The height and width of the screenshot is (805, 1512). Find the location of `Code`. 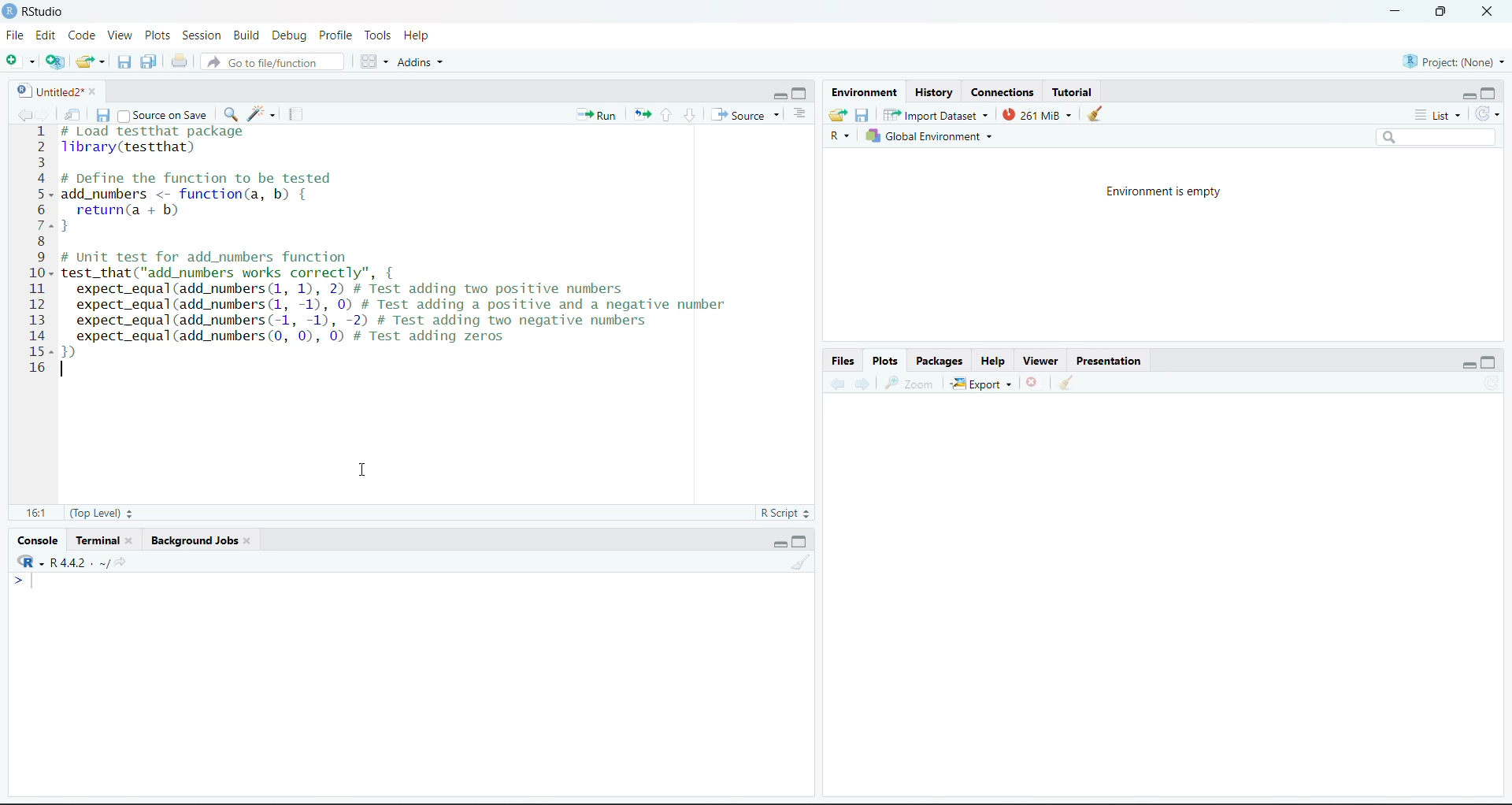

Code is located at coordinates (81, 35).